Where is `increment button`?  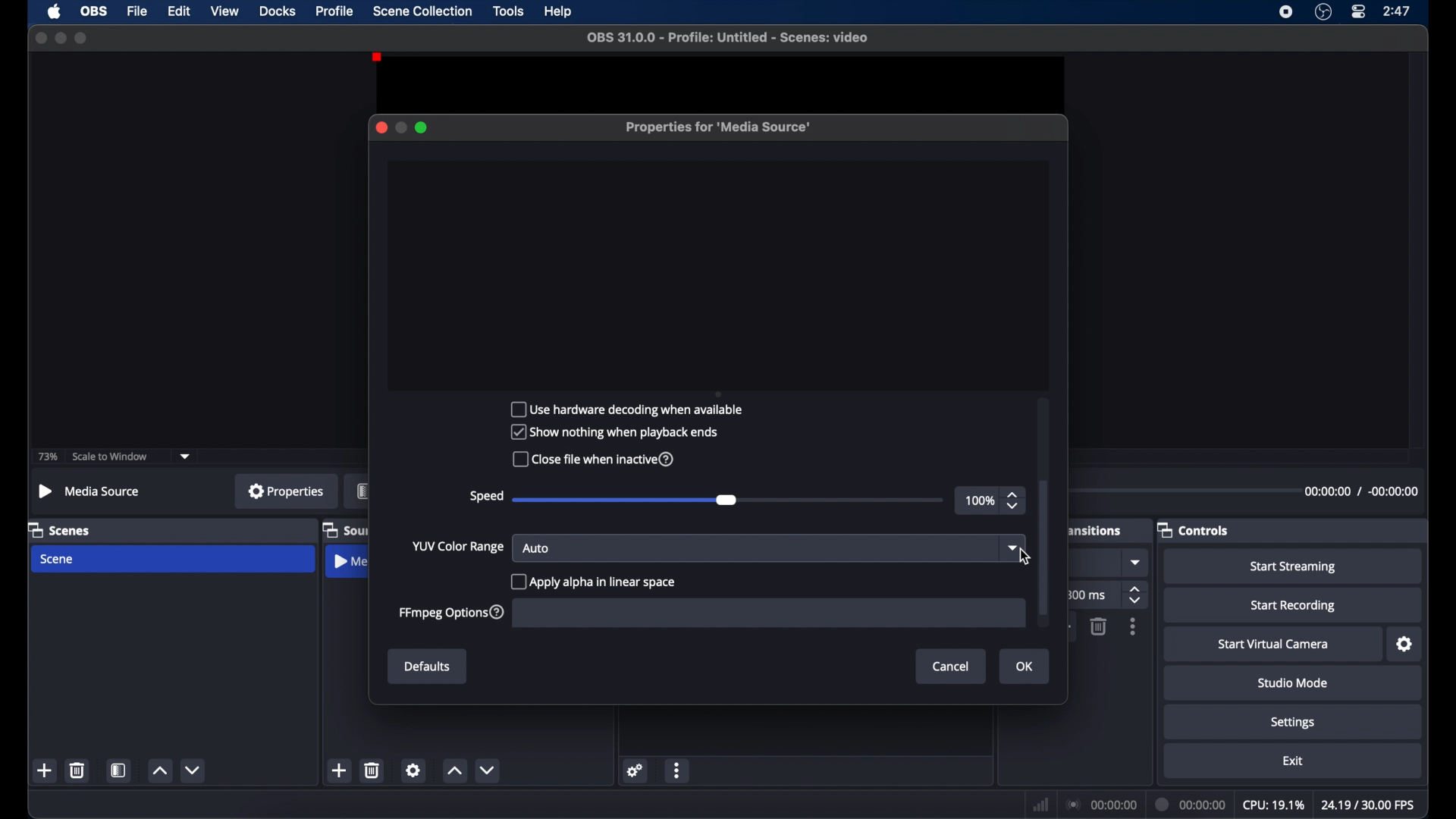
increment button is located at coordinates (454, 771).